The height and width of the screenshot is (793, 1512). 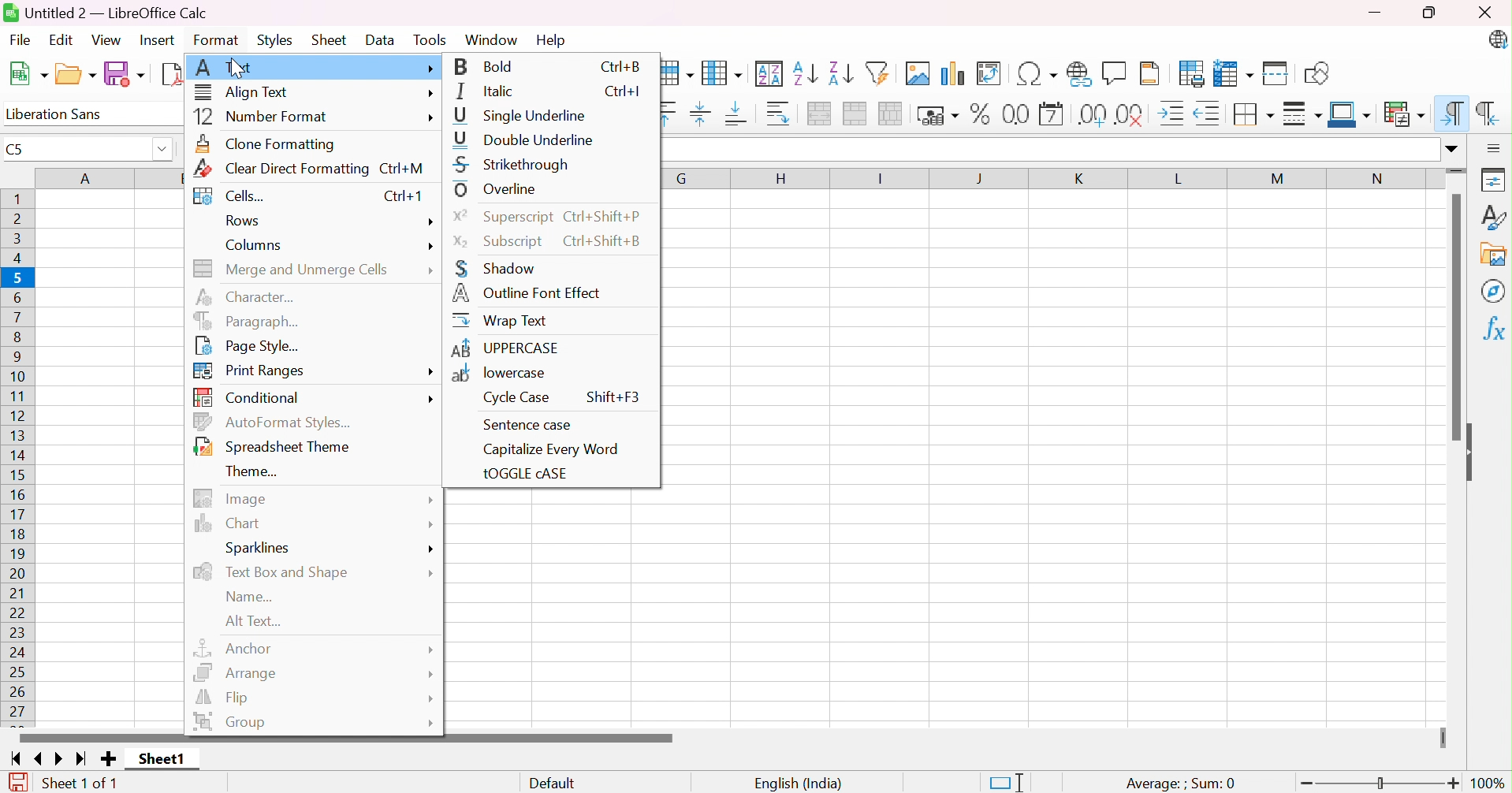 I want to click on Scroll Bar, so click(x=1454, y=319).